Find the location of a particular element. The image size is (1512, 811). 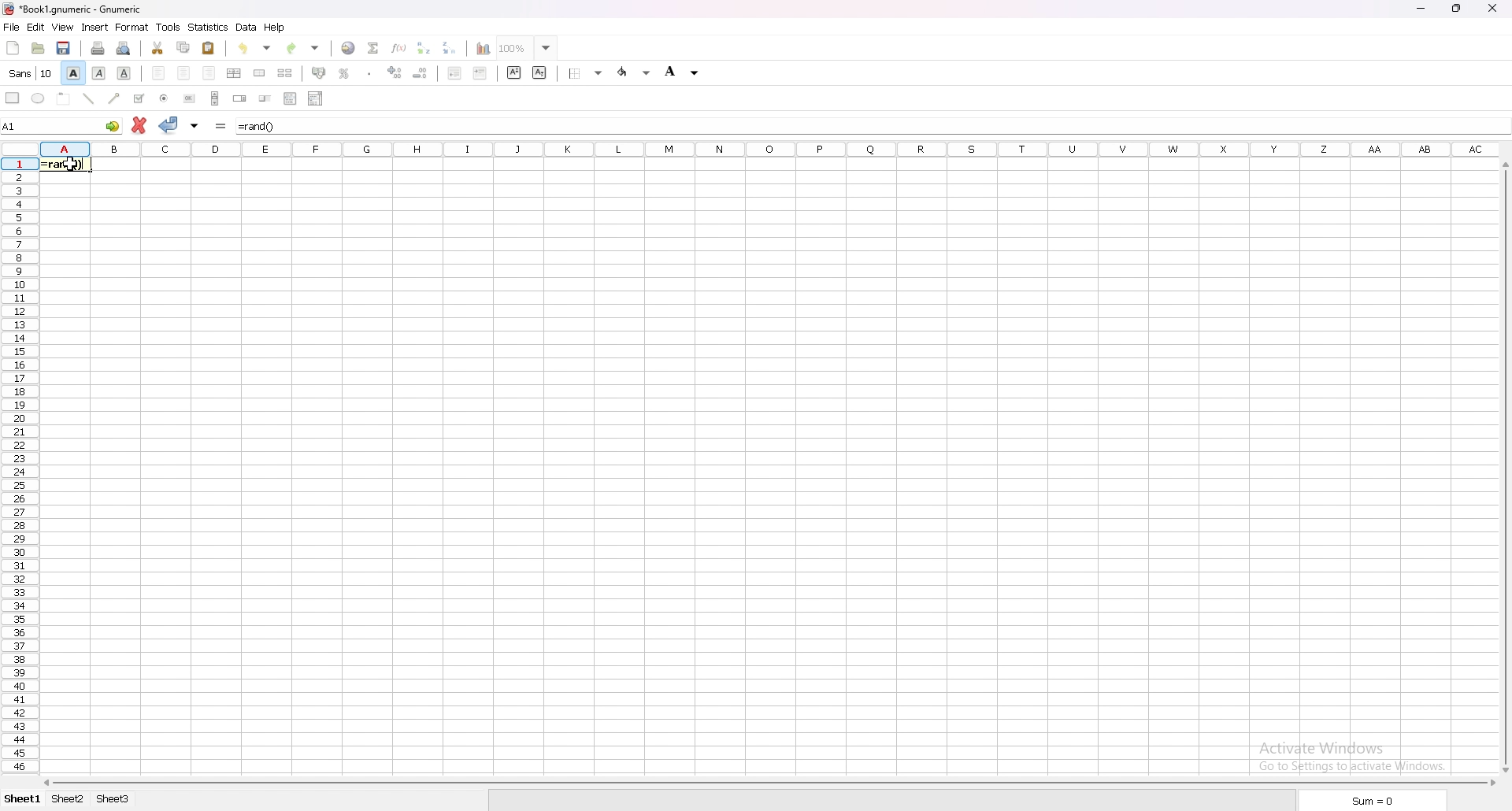

column is located at coordinates (766, 148).